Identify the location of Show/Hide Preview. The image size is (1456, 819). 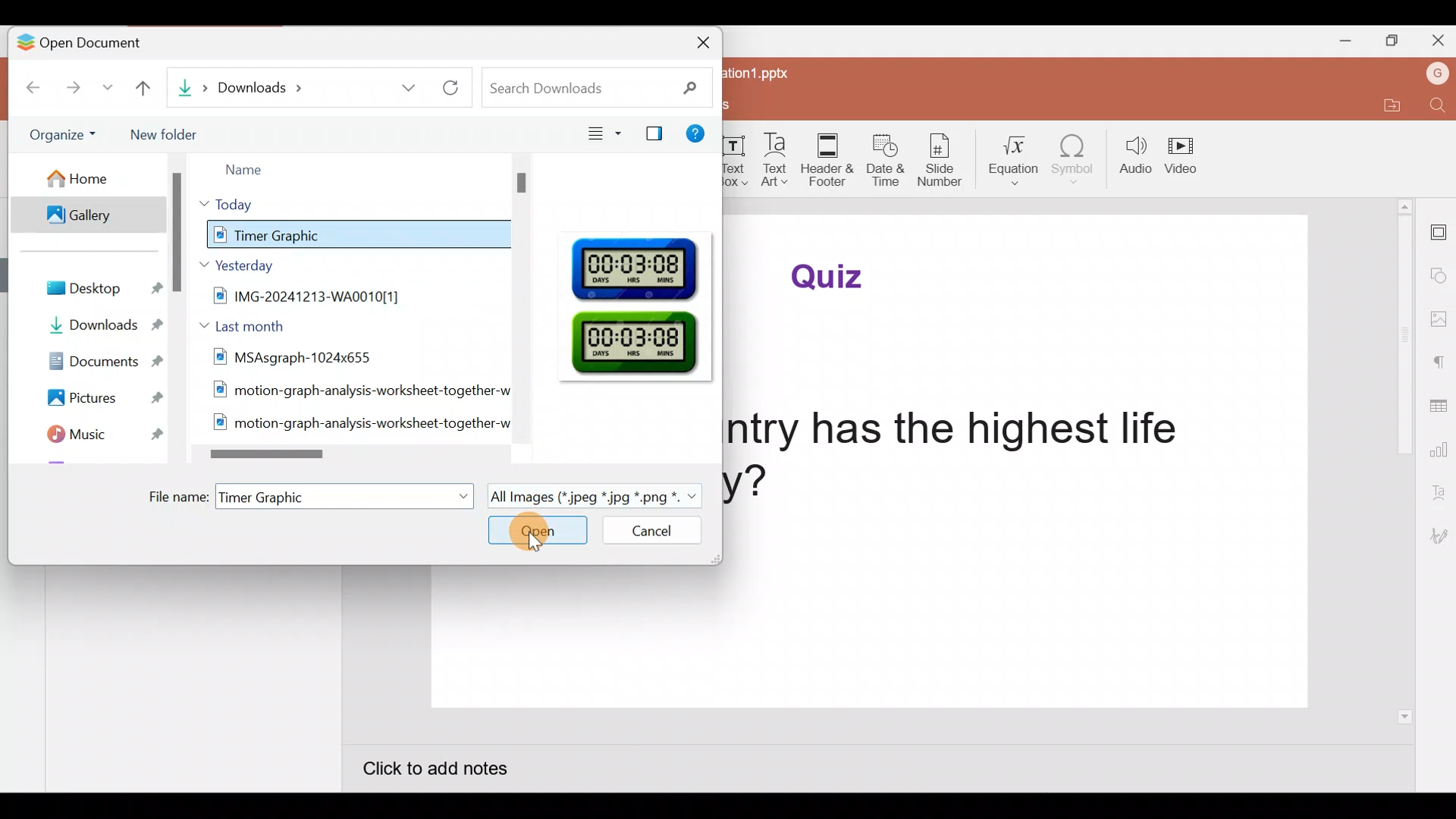
(651, 131).